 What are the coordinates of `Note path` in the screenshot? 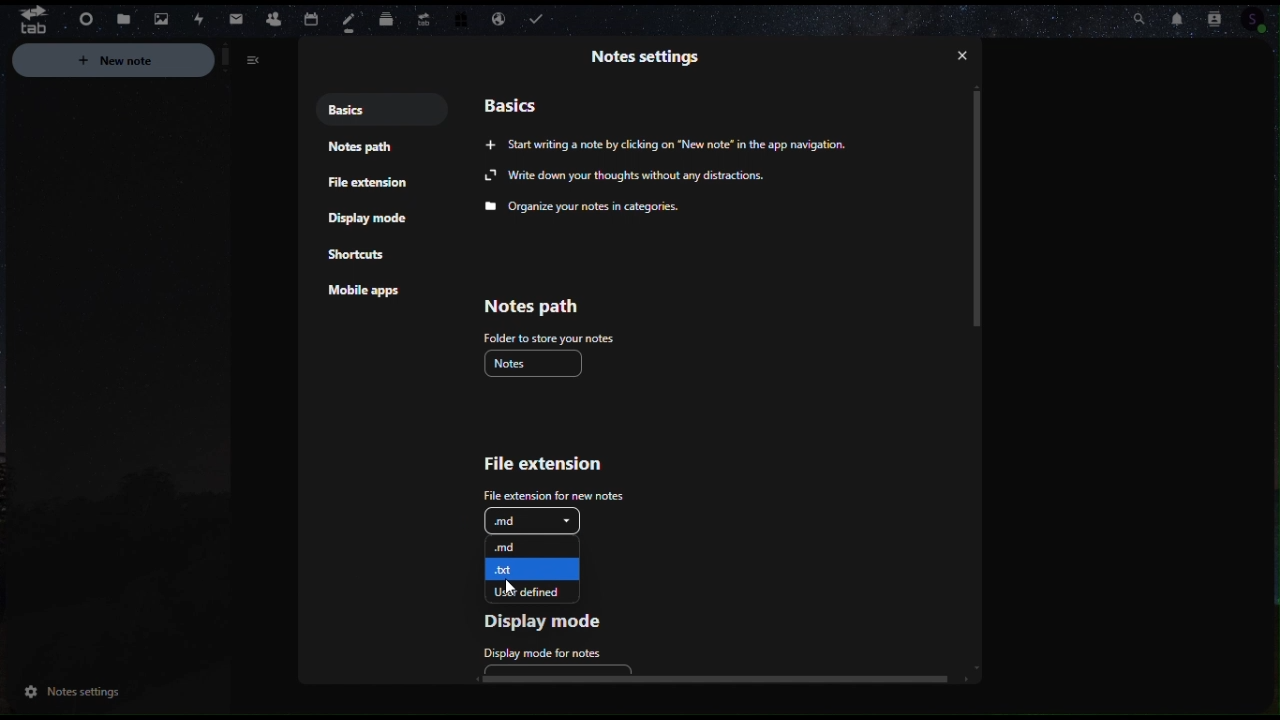 It's located at (363, 152).